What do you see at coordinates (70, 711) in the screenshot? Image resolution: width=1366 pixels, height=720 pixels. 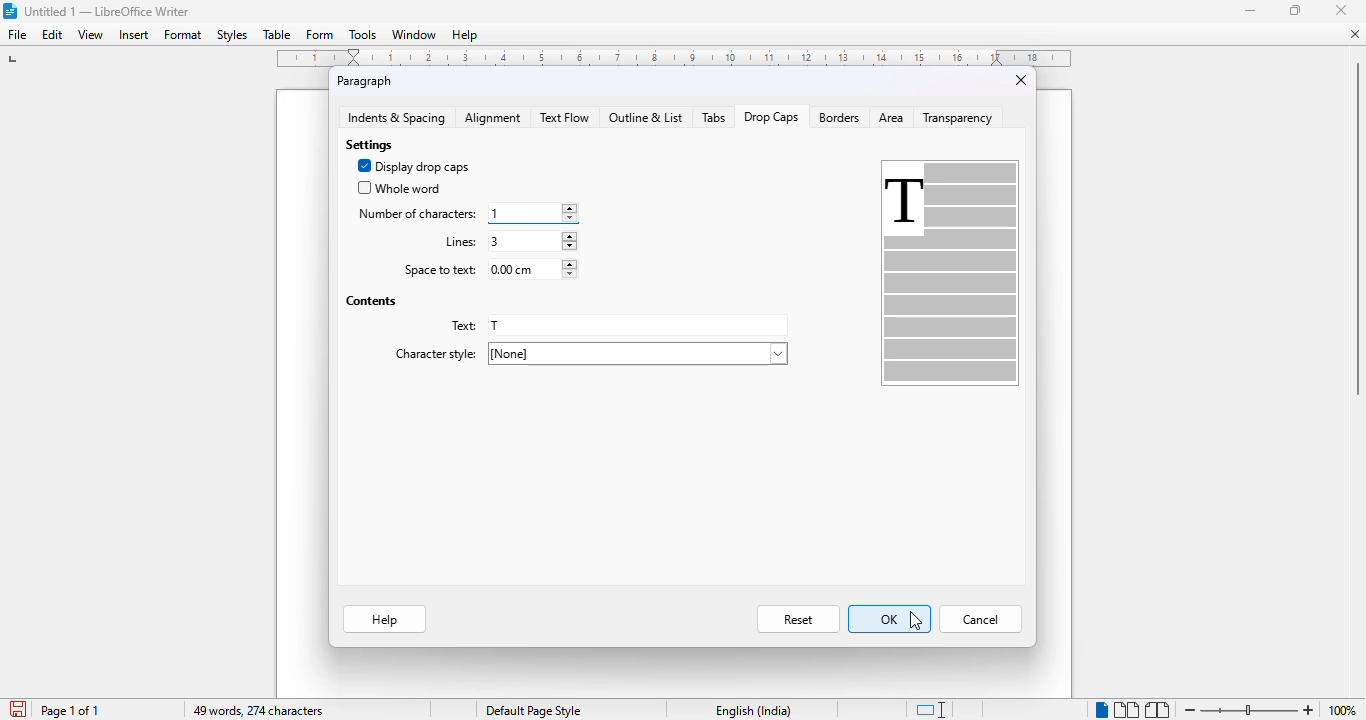 I see `page 1 of 1` at bounding box center [70, 711].